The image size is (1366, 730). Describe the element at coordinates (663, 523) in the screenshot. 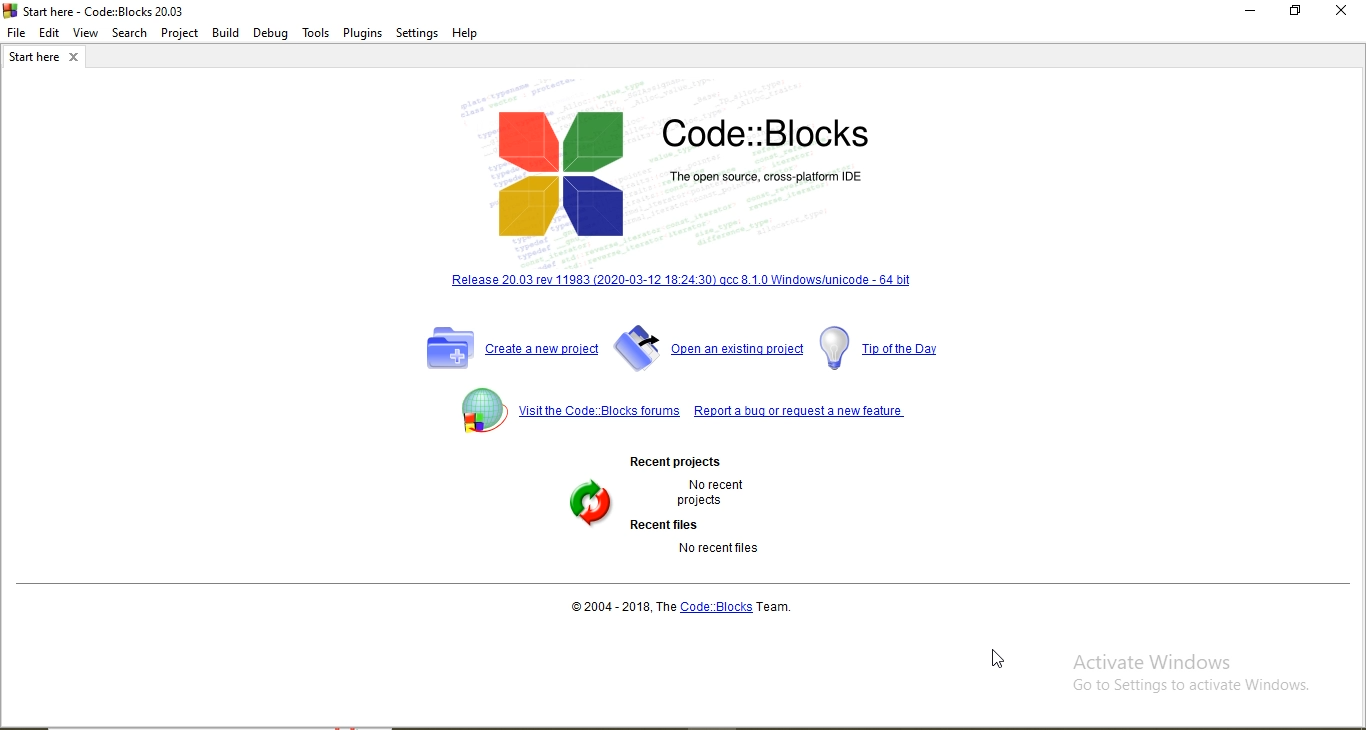

I see `Recent files` at that location.